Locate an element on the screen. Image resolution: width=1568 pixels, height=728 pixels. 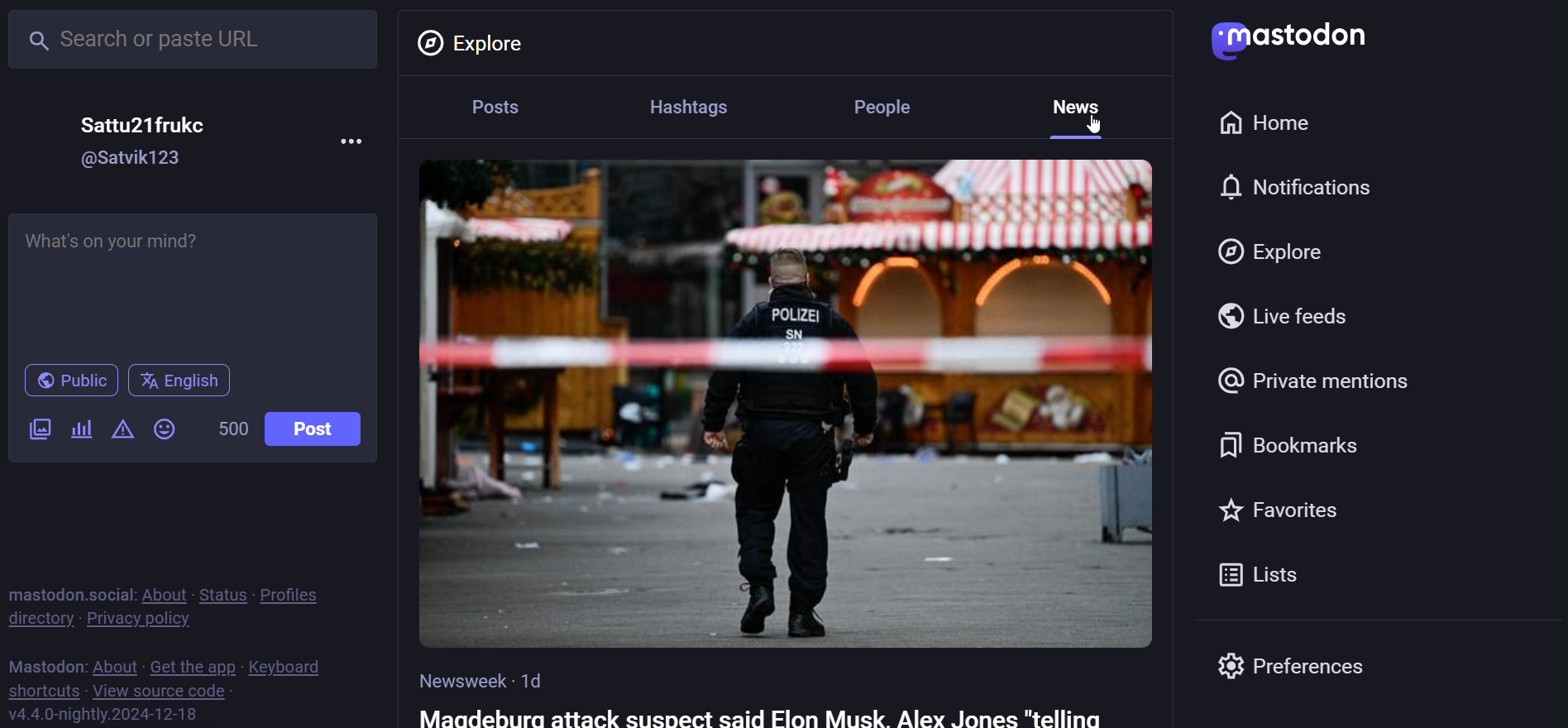
home is located at coordinates (1265, 122).